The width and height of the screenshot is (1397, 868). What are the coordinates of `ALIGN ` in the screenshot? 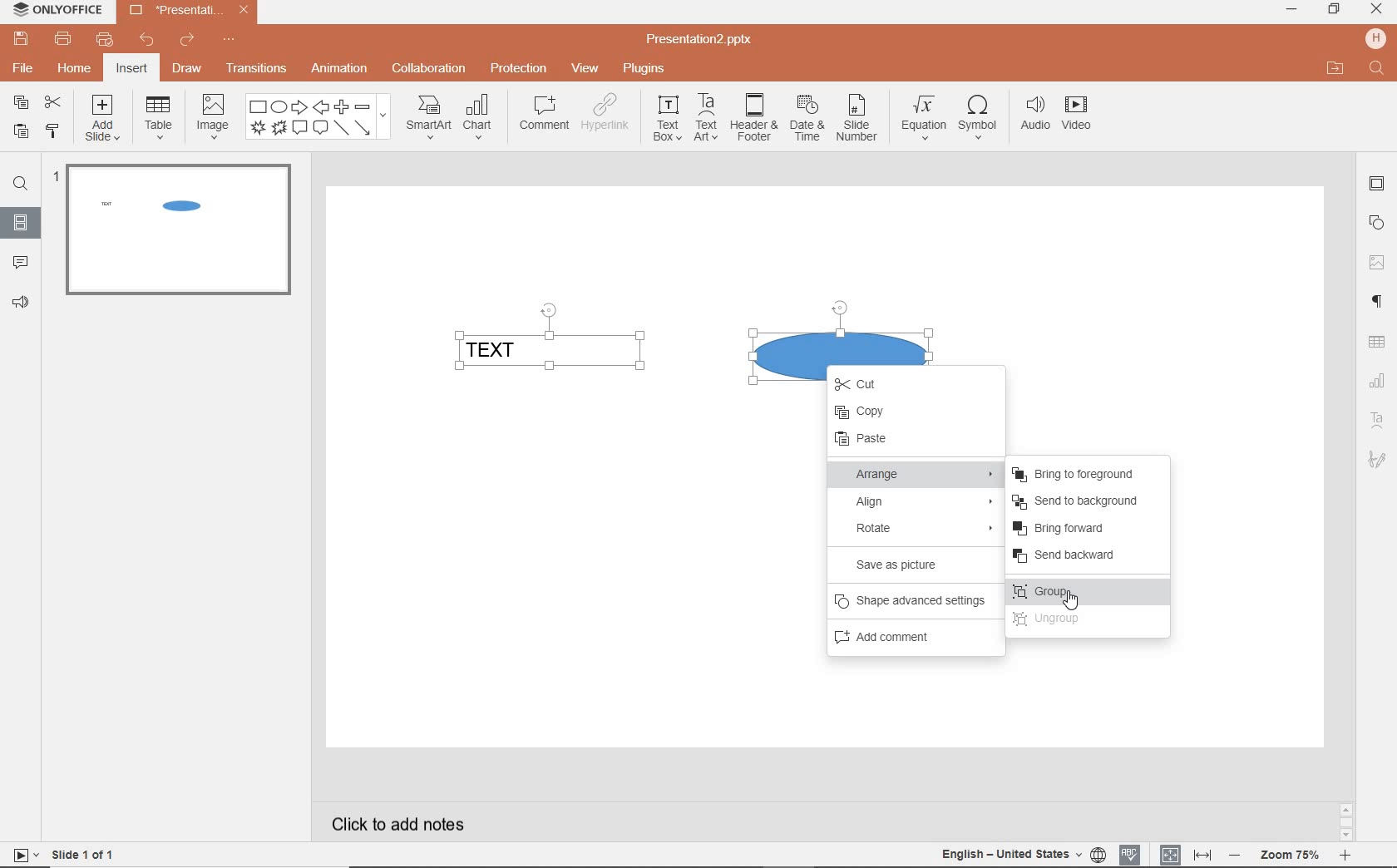 It's located at (916, 501).